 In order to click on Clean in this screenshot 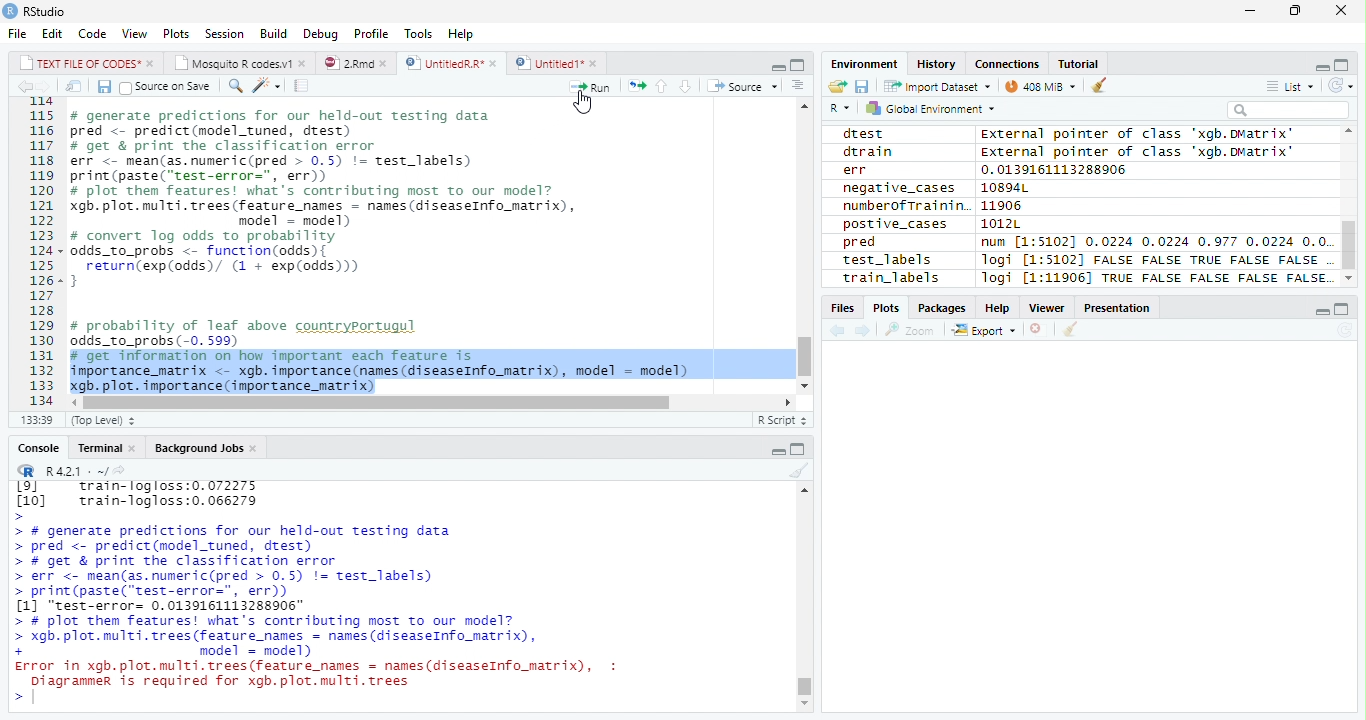, I will do `click(1092, 86)`.